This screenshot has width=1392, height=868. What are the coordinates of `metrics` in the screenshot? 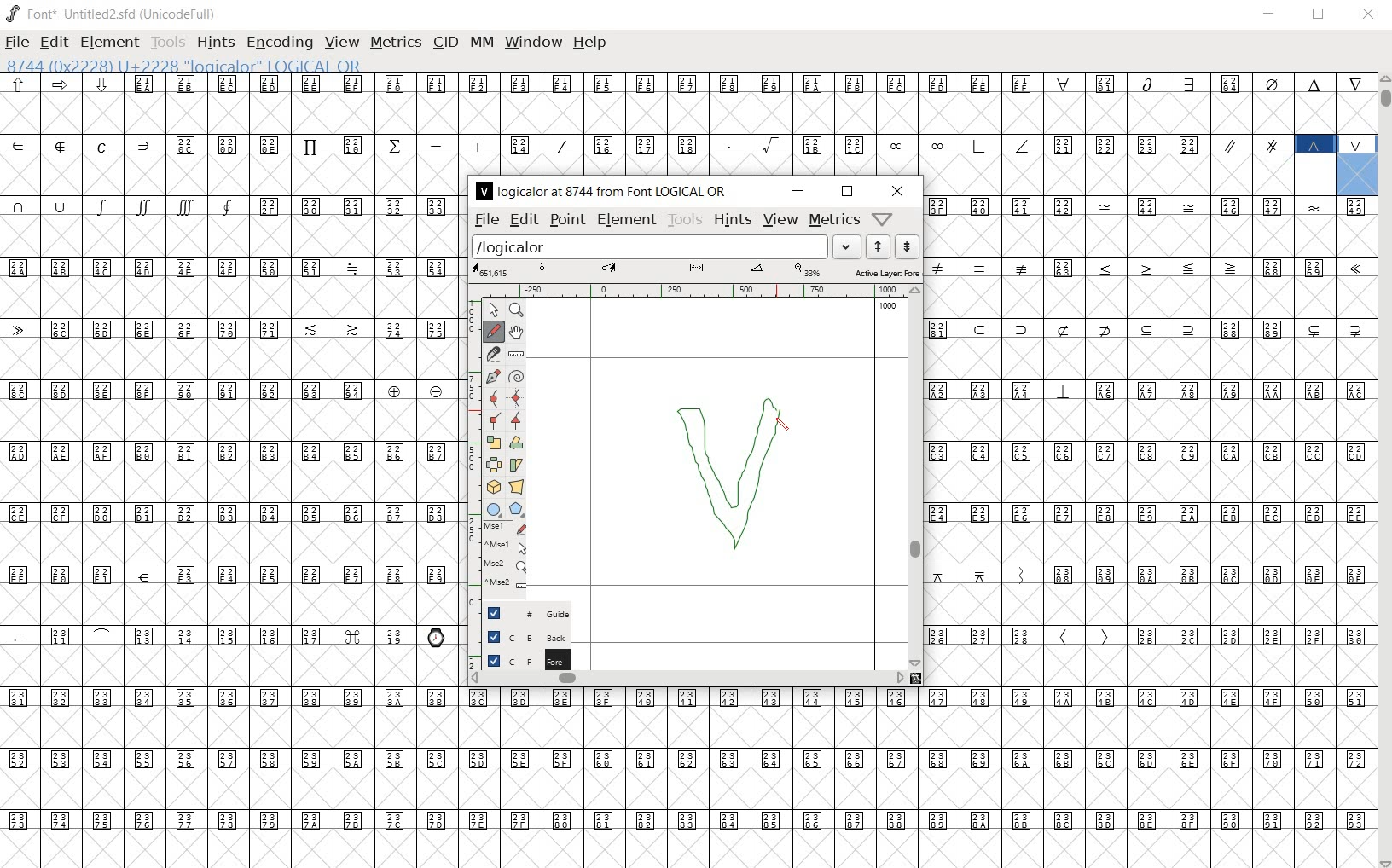 It's located at (834, 219).